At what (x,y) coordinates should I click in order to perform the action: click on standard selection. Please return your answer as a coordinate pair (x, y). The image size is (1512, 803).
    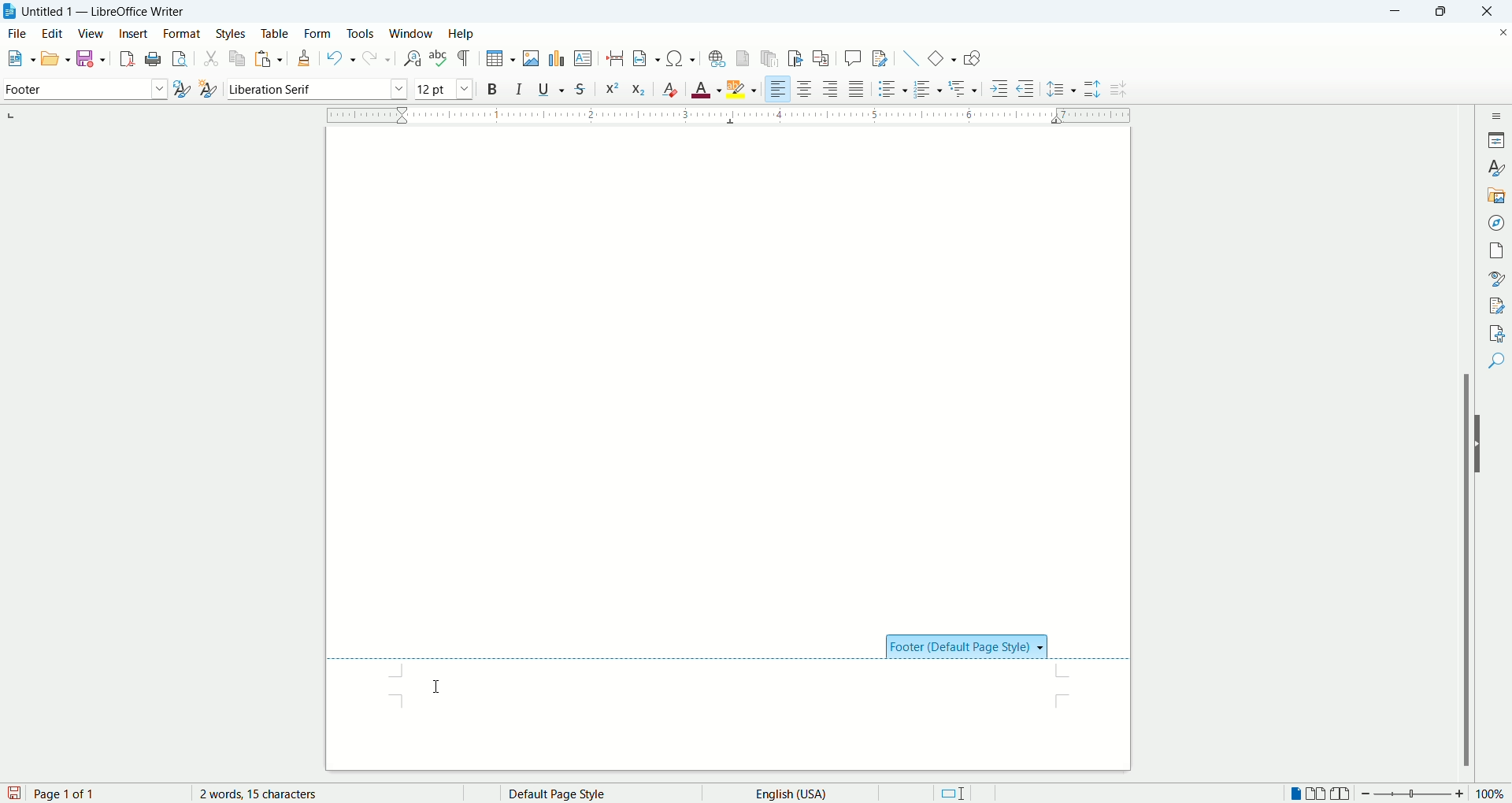
    Looking at the image, I should click on (952, 794).